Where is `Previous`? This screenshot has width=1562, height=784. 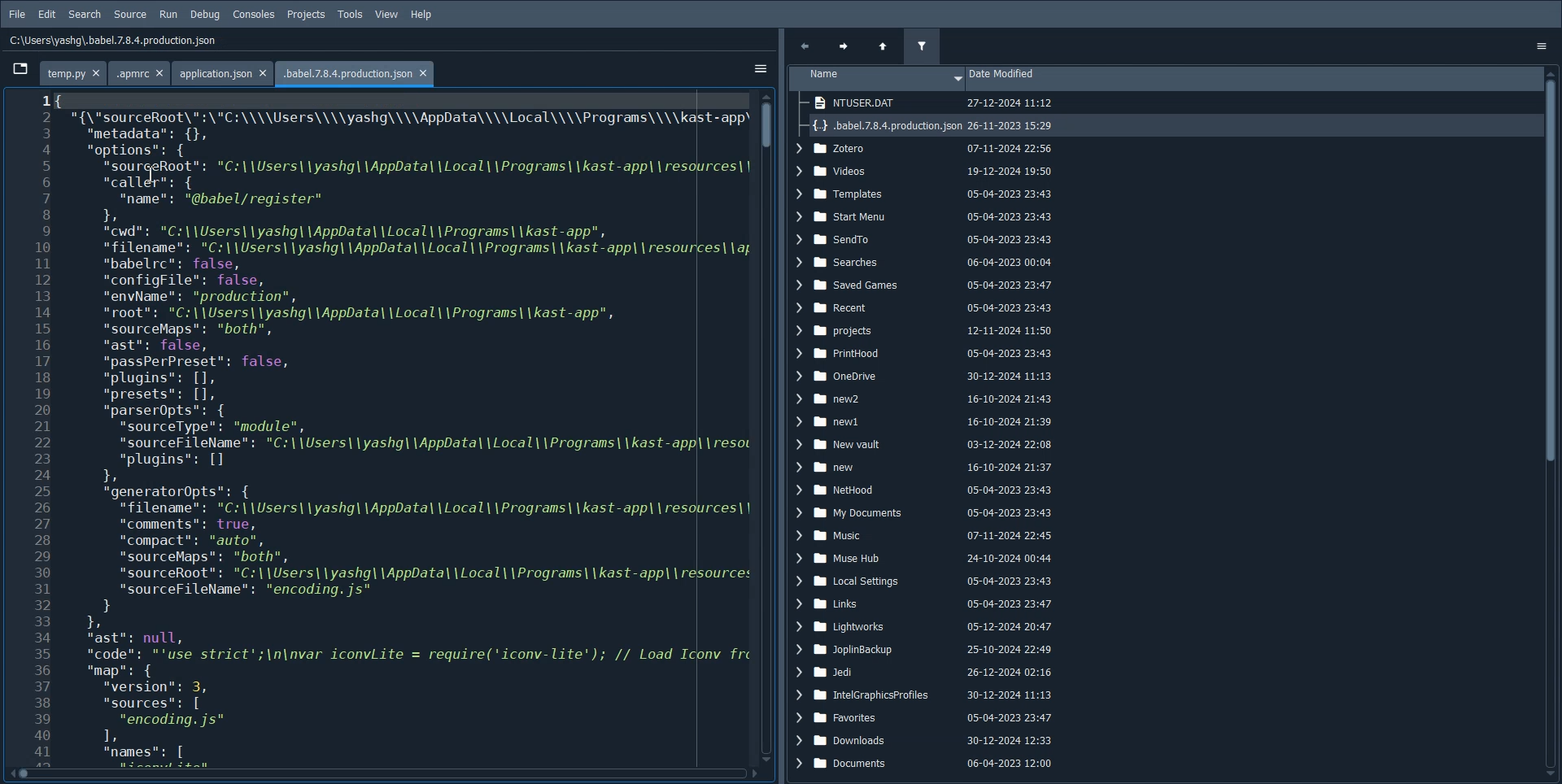
Previous is located at coordinates (810, 46).